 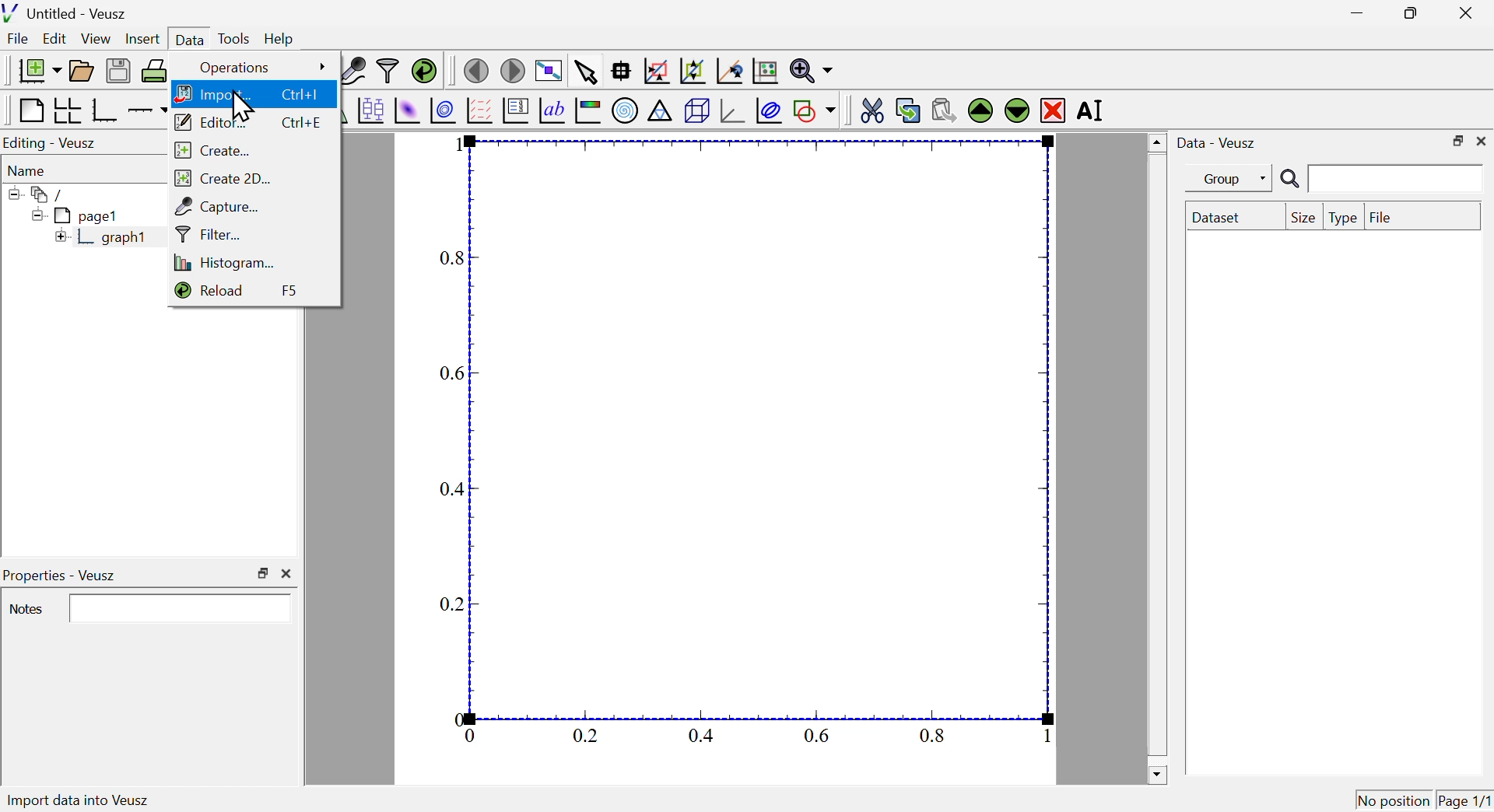 I want to click on base graph, so click(x=105, y=110).